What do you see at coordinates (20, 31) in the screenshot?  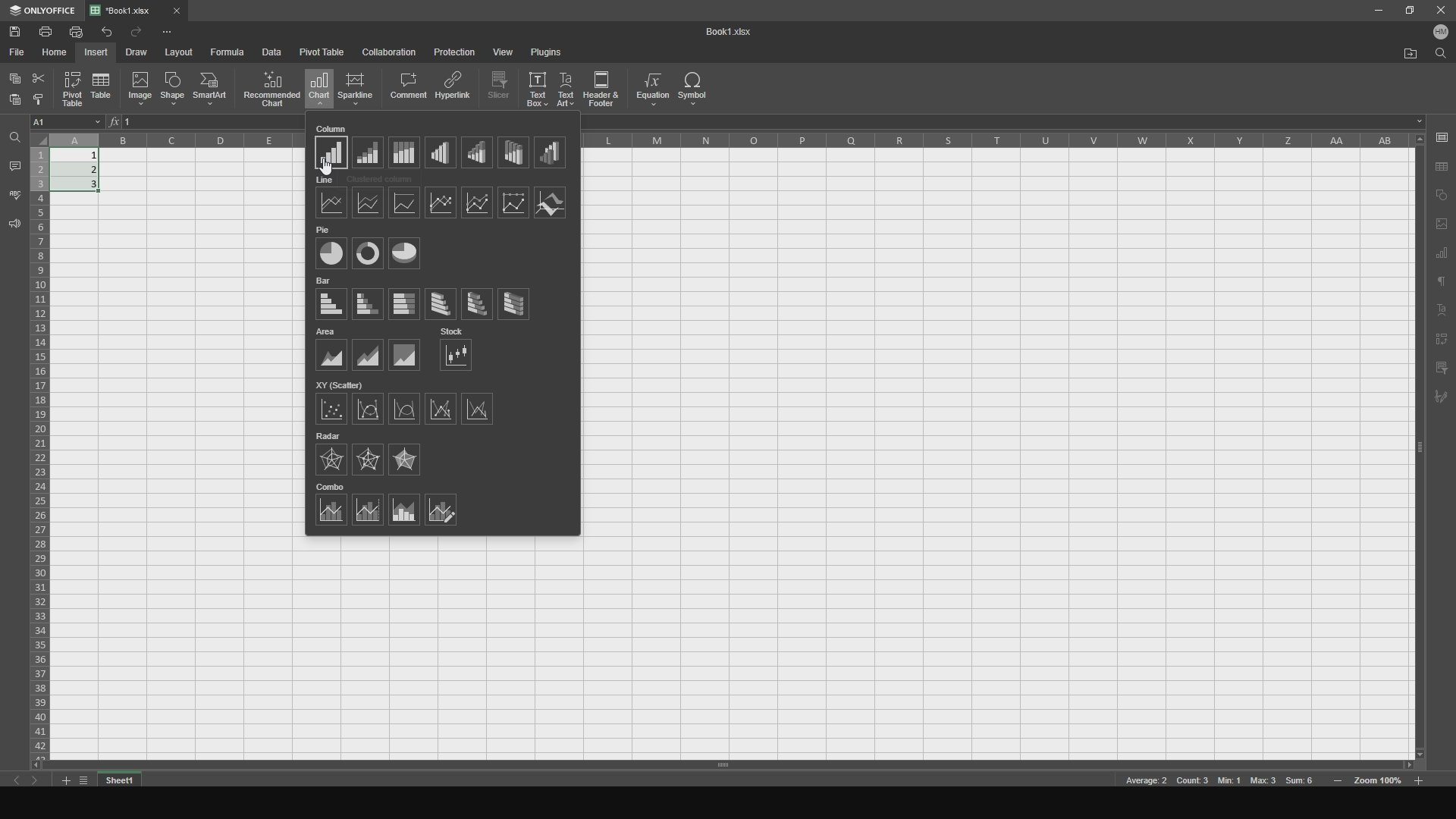 I see `save` at bounding box center [20, 31].